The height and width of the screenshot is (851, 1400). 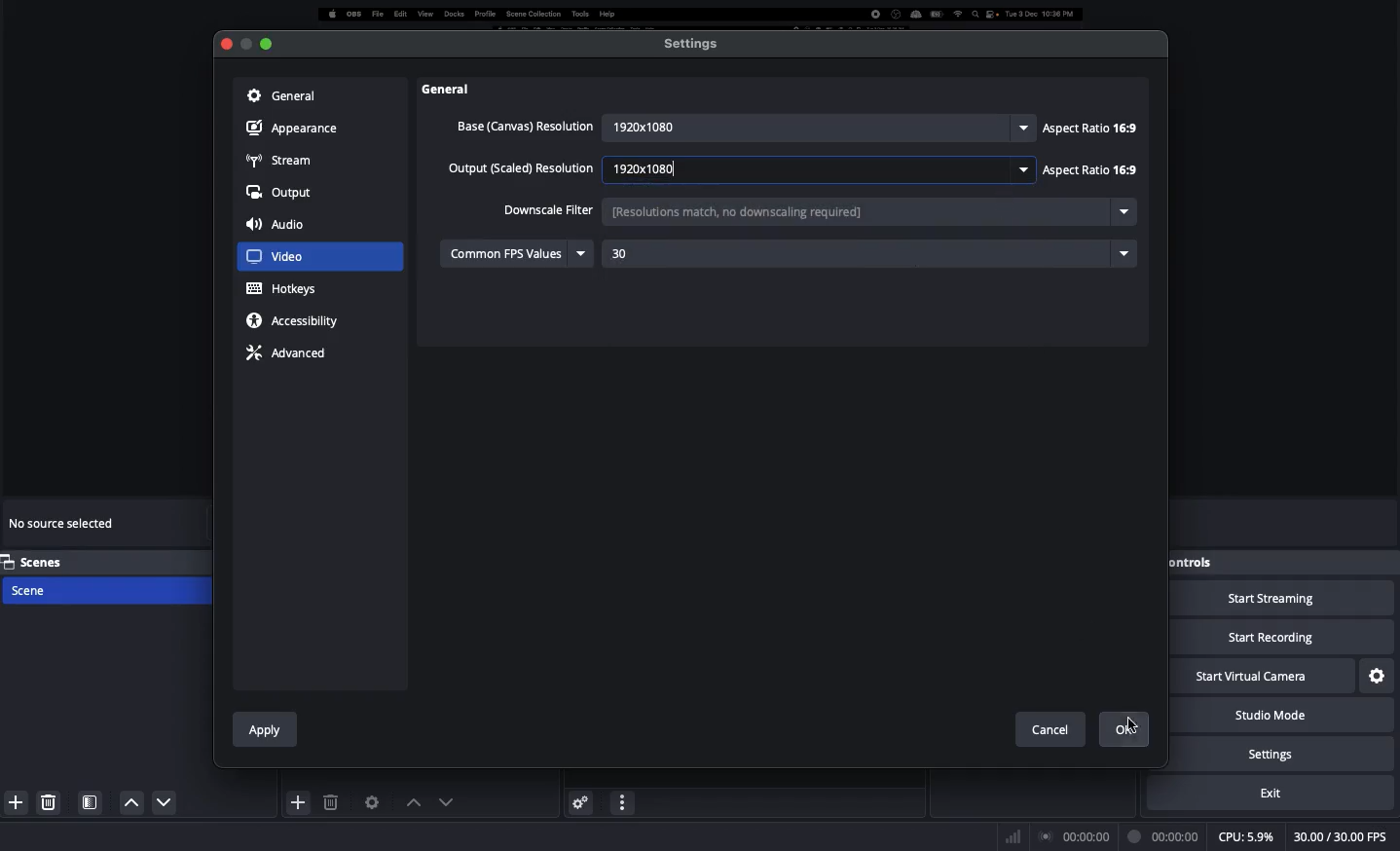 I want to click on Button, so click(x=245, y=44).